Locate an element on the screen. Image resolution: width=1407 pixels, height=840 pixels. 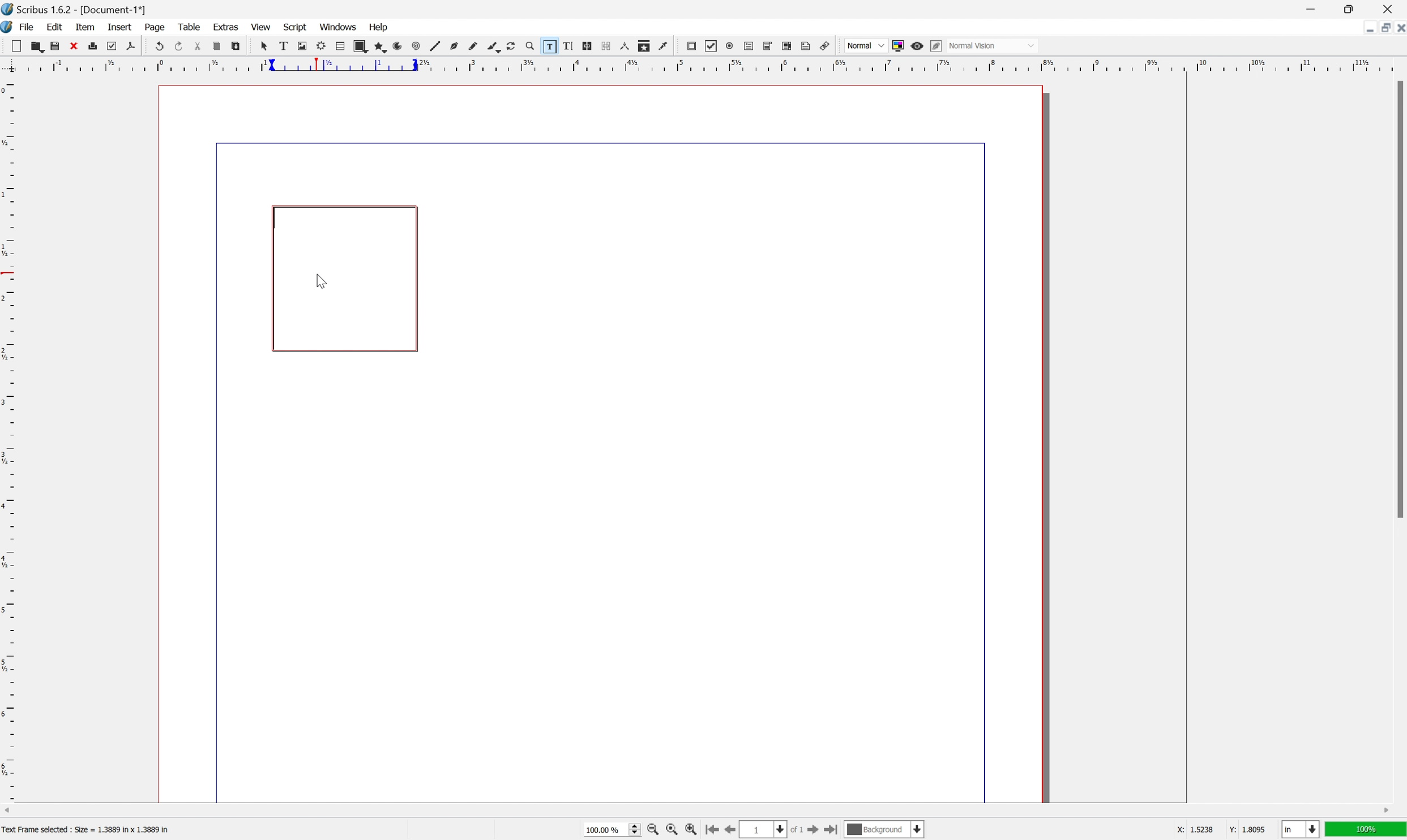
shape is located at coordinates (360, 46).